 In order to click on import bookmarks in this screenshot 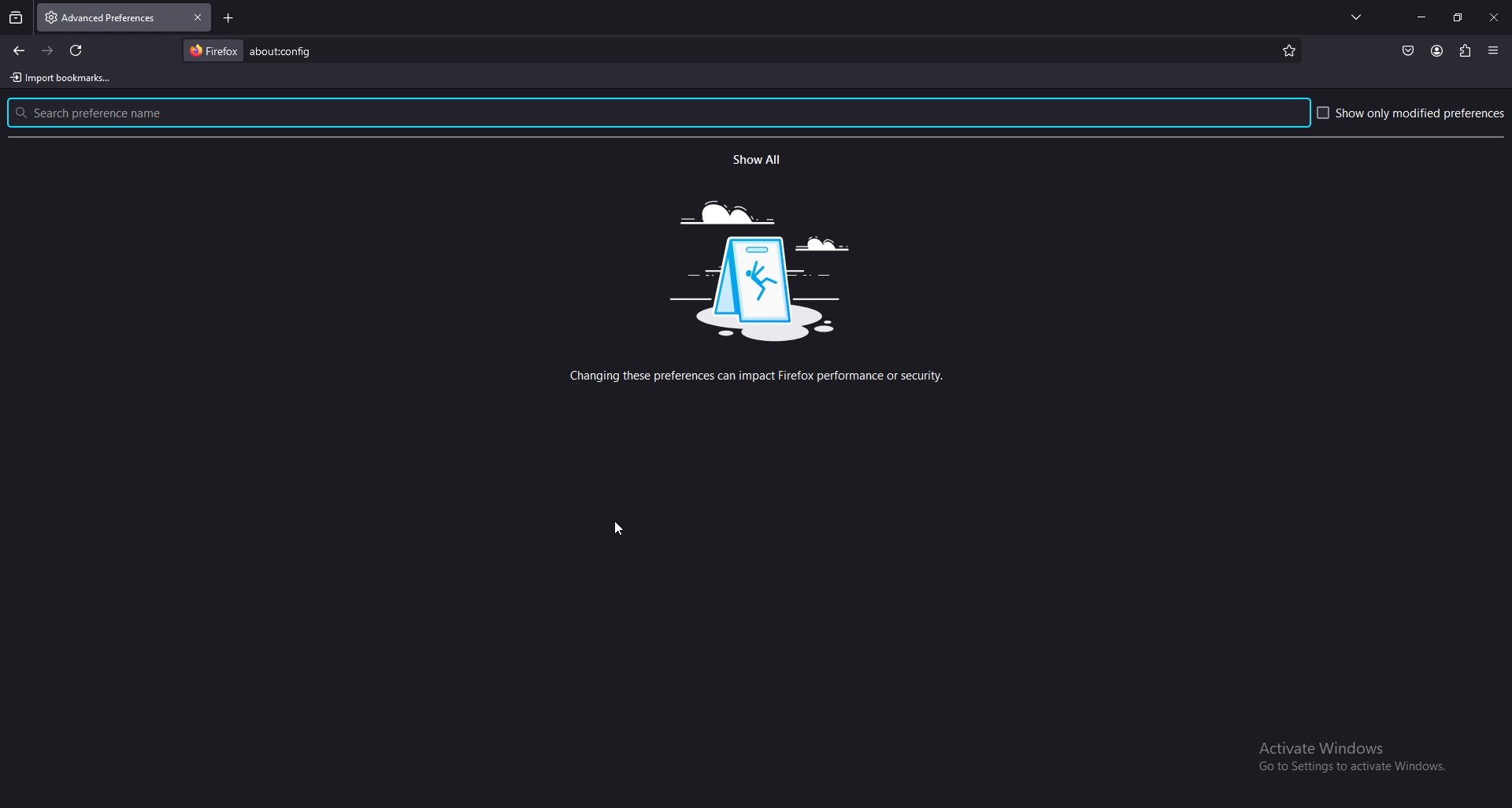, I will do `click(65, 78)`.